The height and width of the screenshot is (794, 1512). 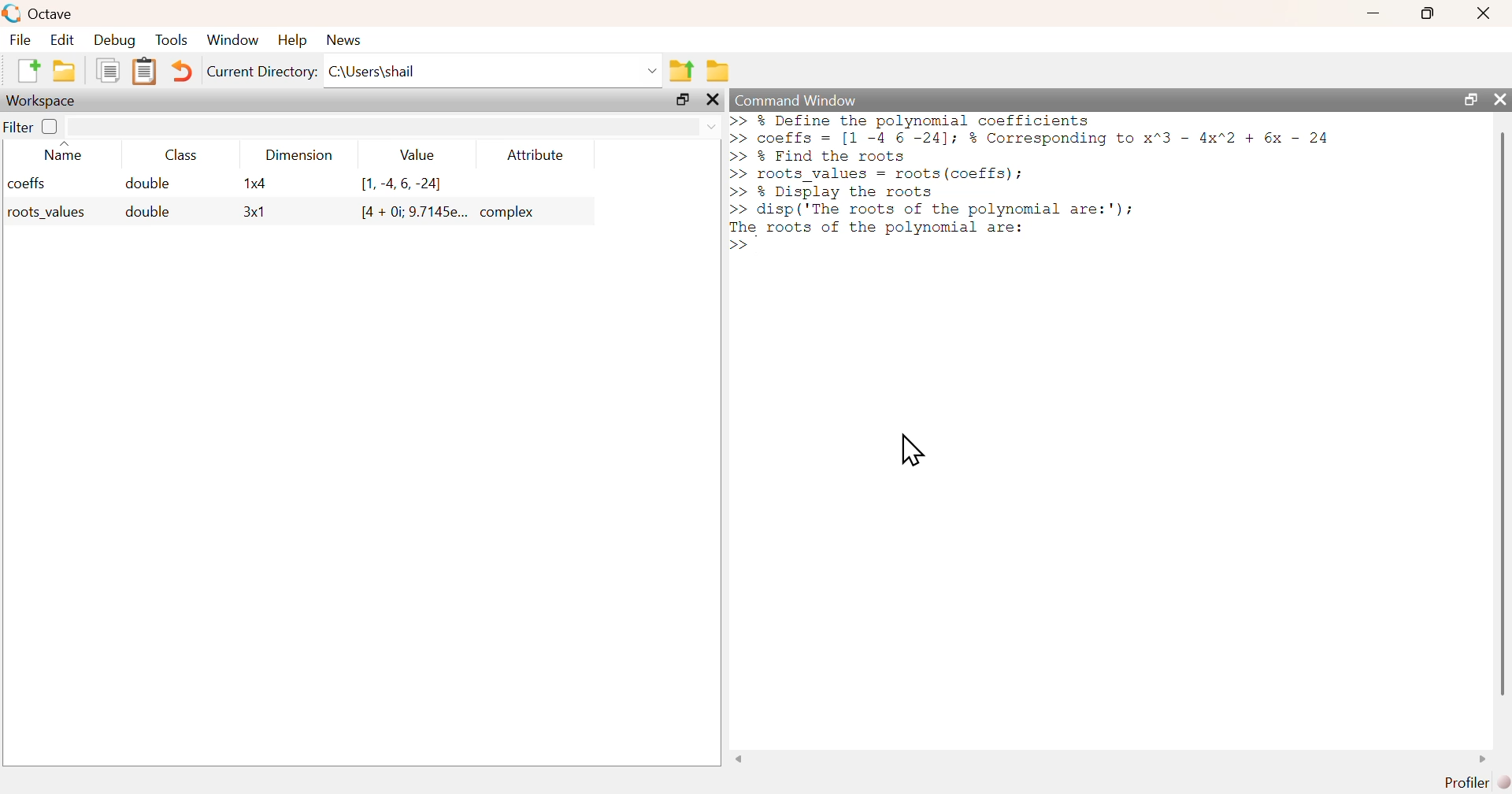 What do you see at coordinates (65, 150) in the screenshot?
I see `Name` at bounding box center [65, 150].